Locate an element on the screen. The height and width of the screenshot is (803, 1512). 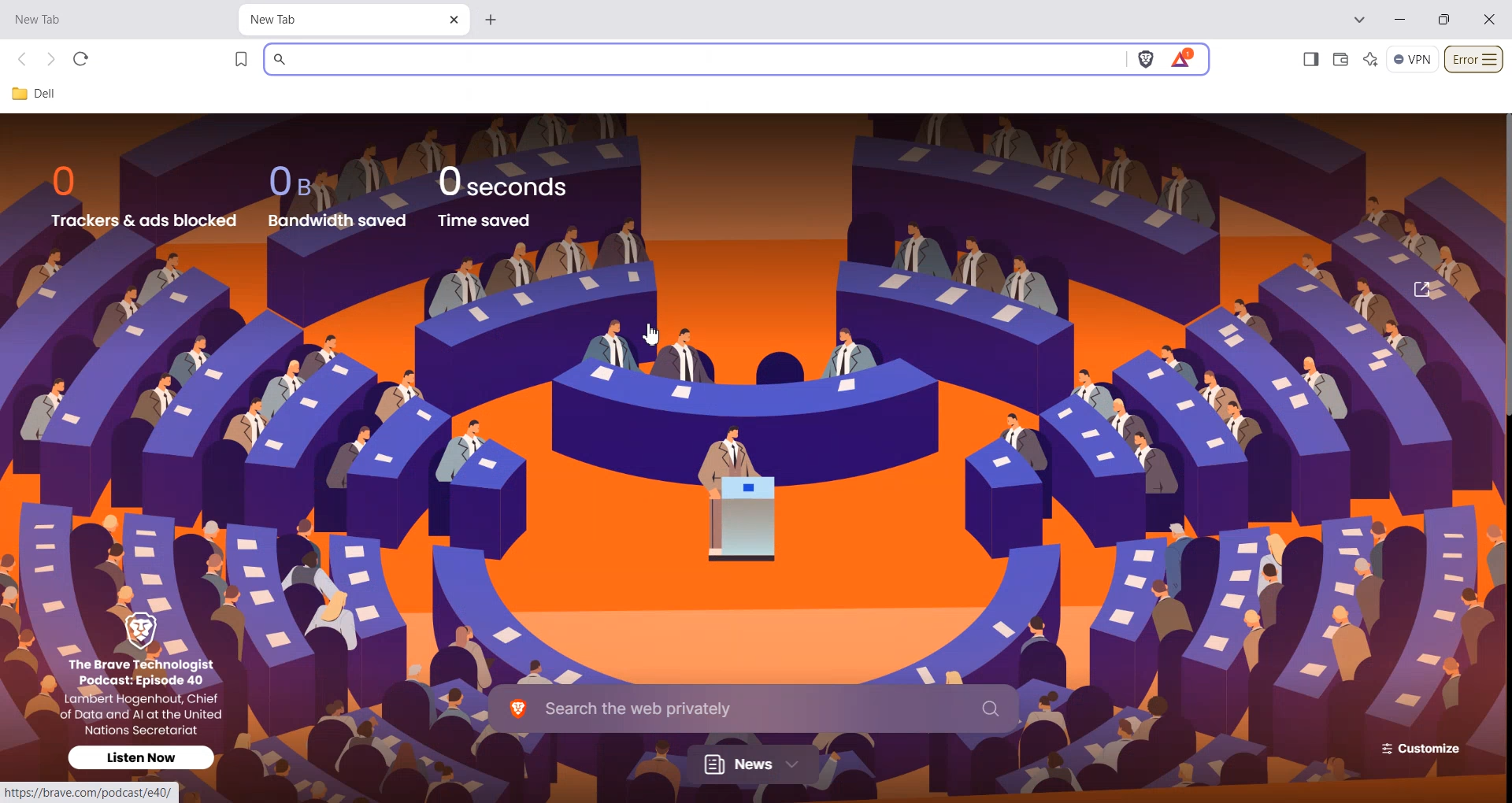
The Brave TechnologistCC — 409 La Hogenhout, Chief‘of Data and Al at the UnitedNations Secretariat  is located at coordinates (148, 695).